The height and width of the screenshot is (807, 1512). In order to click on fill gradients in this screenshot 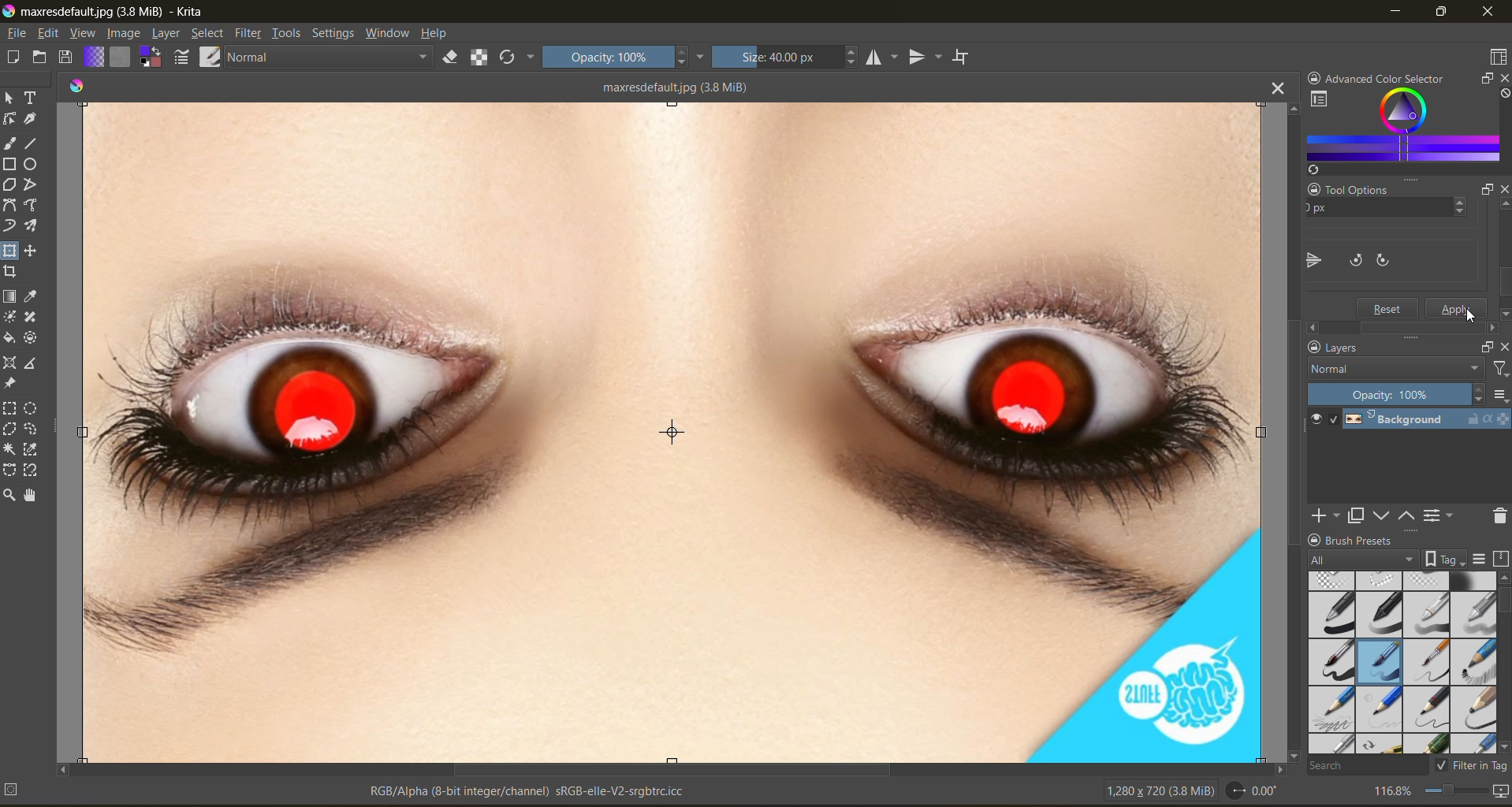, I will do `click(99, 57)`.